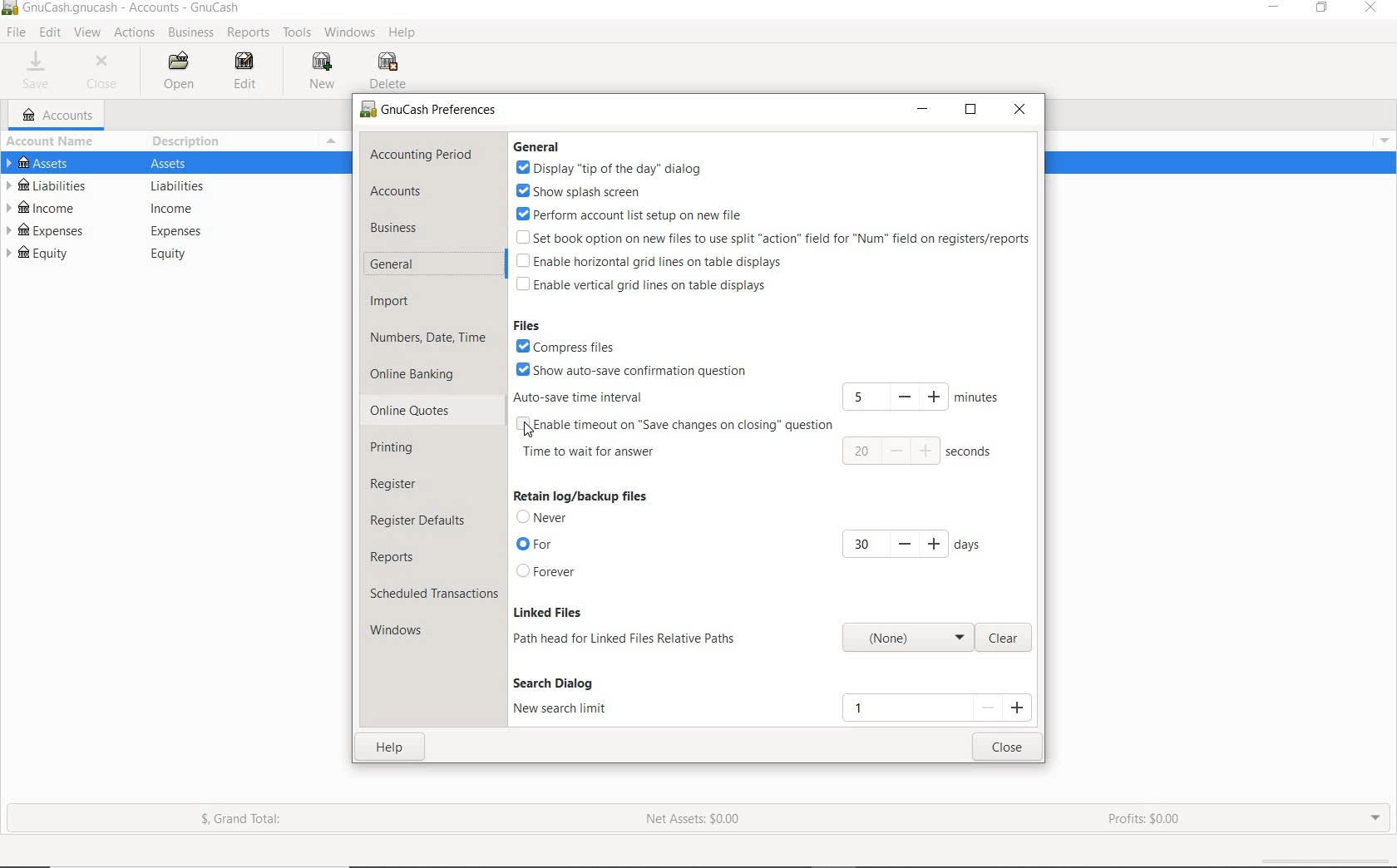 This screenshot has height=868, width=1397. I want to click on retain log/ backup files, so click(580, 496).